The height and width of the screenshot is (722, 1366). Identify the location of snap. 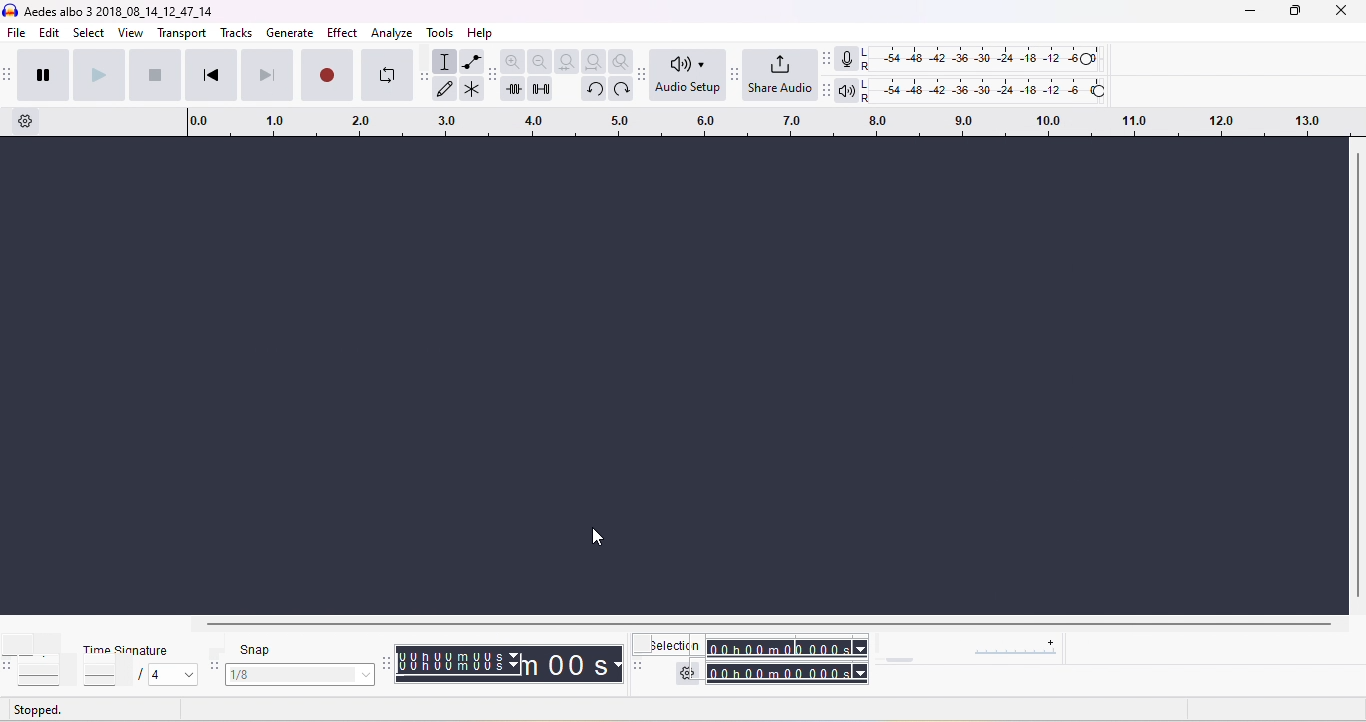
(260, 648).